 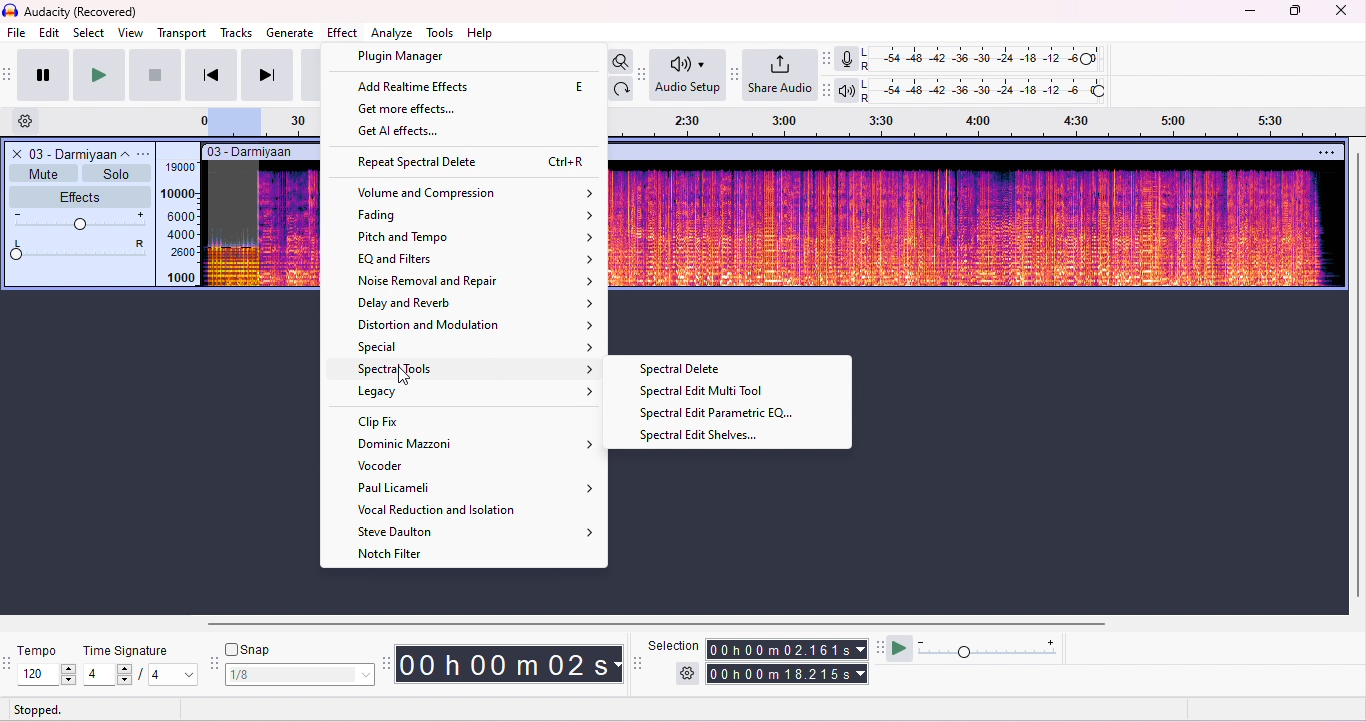 What do you see at coordinates (989, 125) in the screenshot?
I see `timeline` at bounding box center [989, 125].